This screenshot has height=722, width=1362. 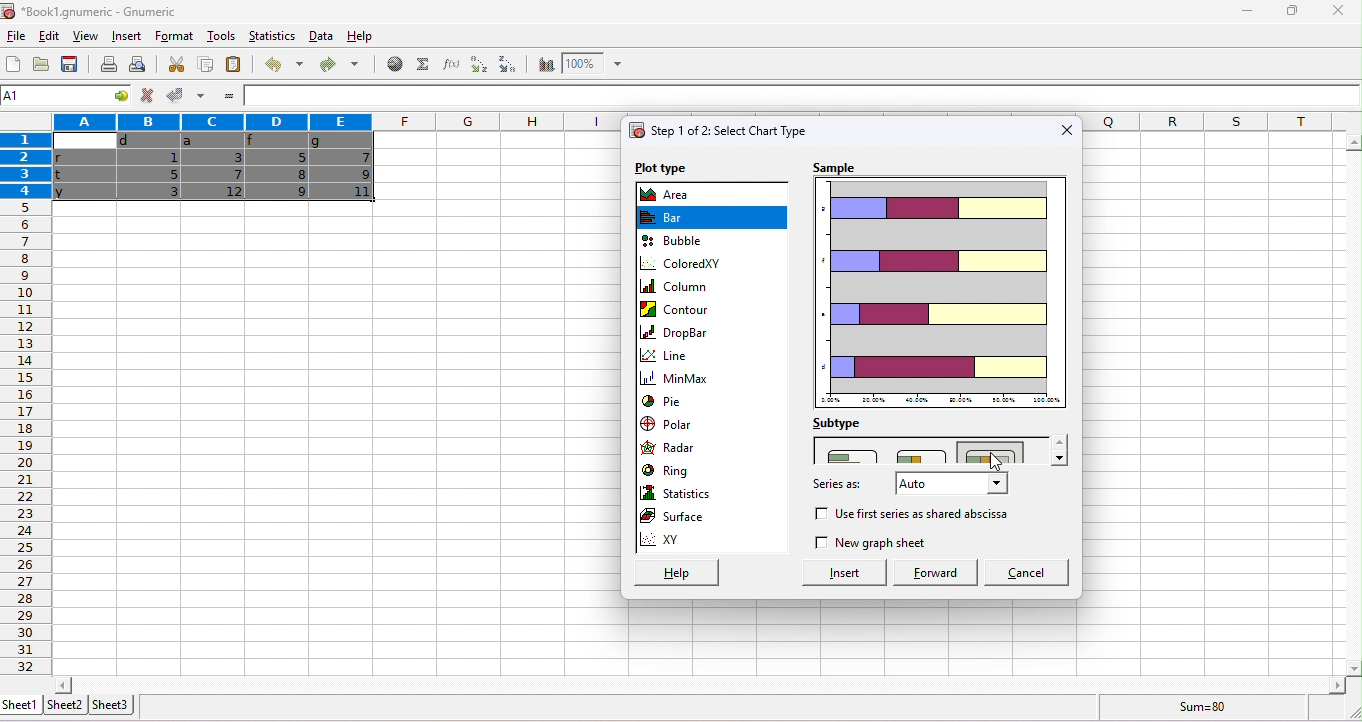 What do you see at coordinates (660, 167) in the screenshot?
I see `plot type` at bounding box center [660, 167].